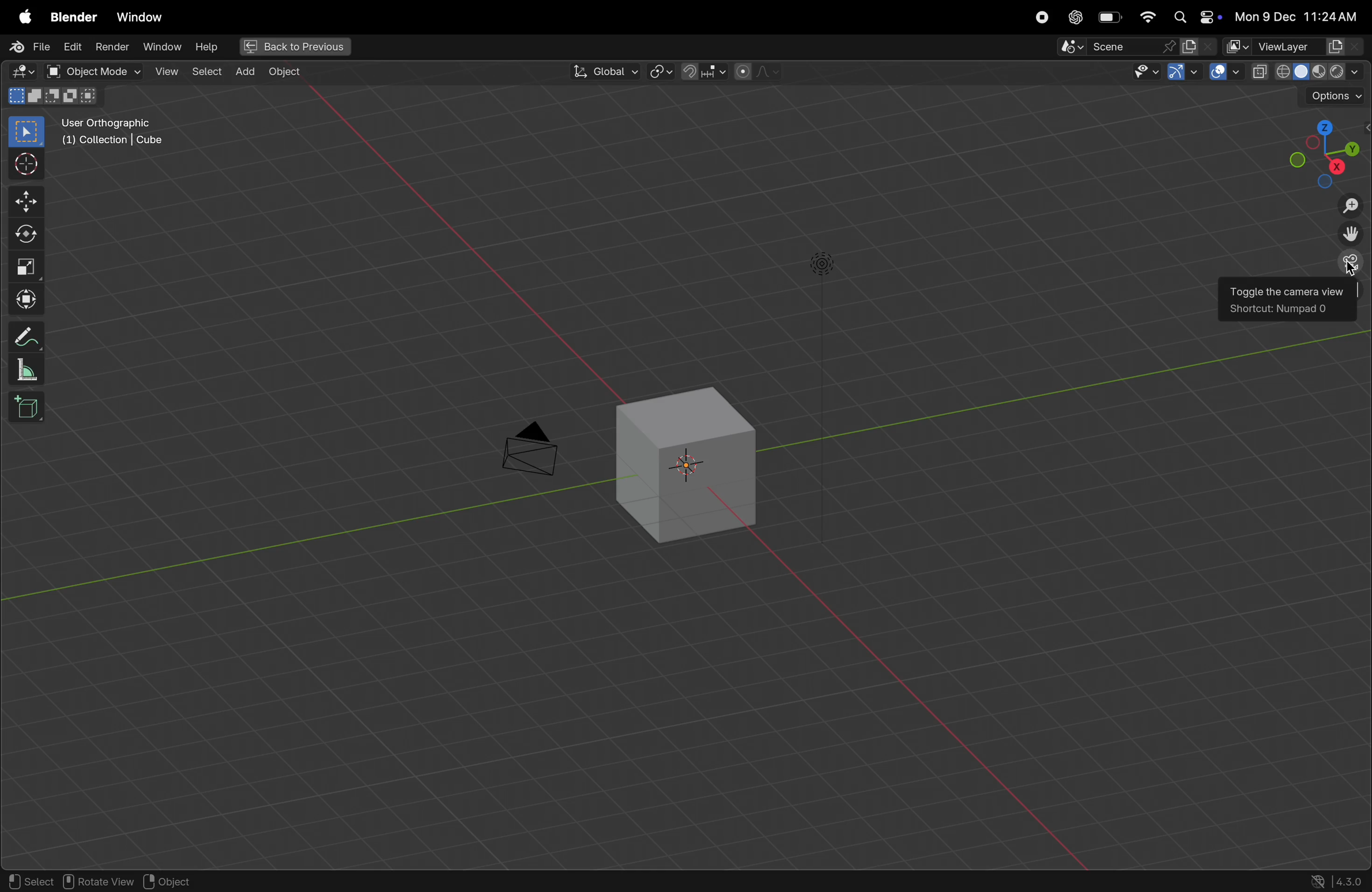  Describe the element at coordinates (1117, 47) in the screenshot. I see `scene` at that location.